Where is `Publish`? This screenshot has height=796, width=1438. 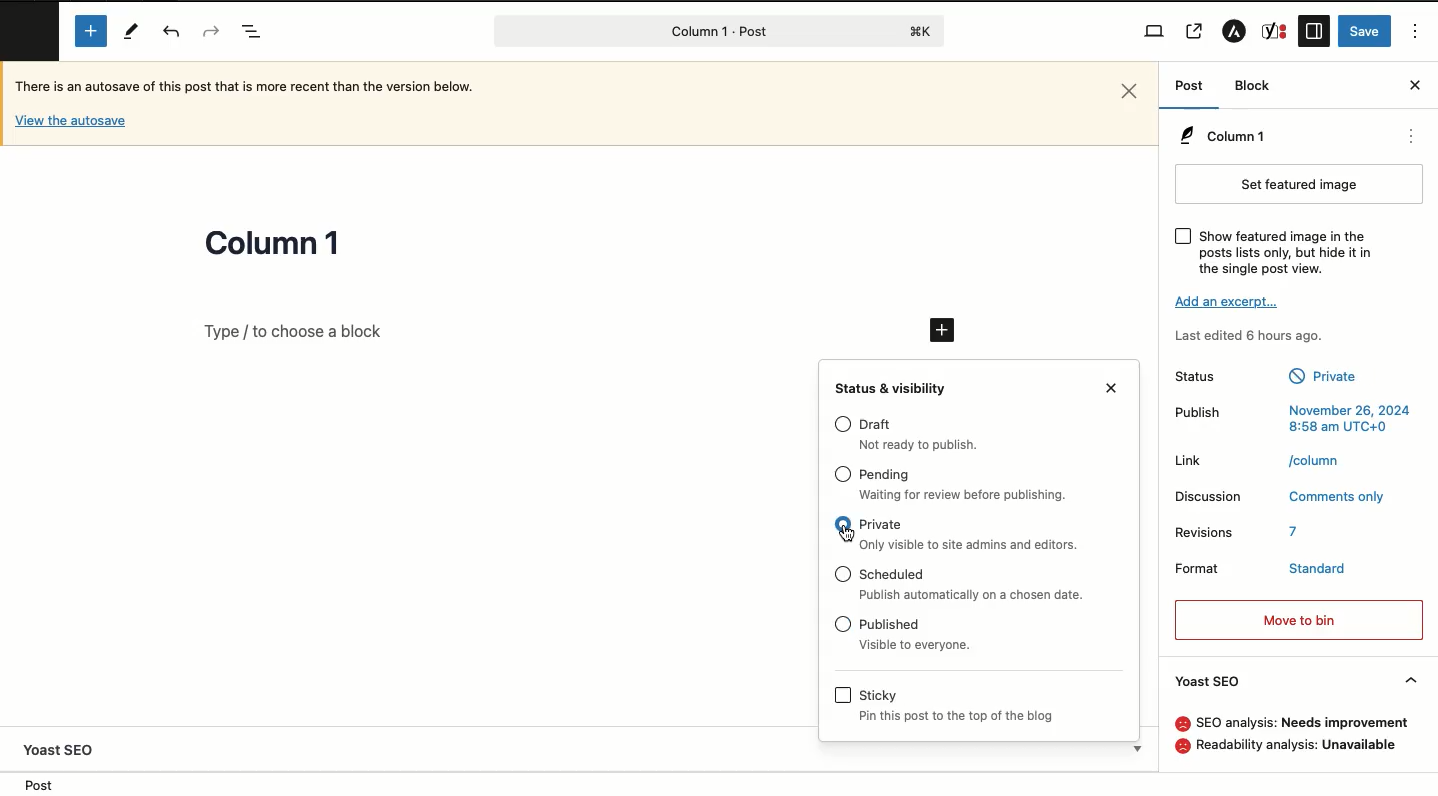
Publish is located at coordinates (1203, 411).